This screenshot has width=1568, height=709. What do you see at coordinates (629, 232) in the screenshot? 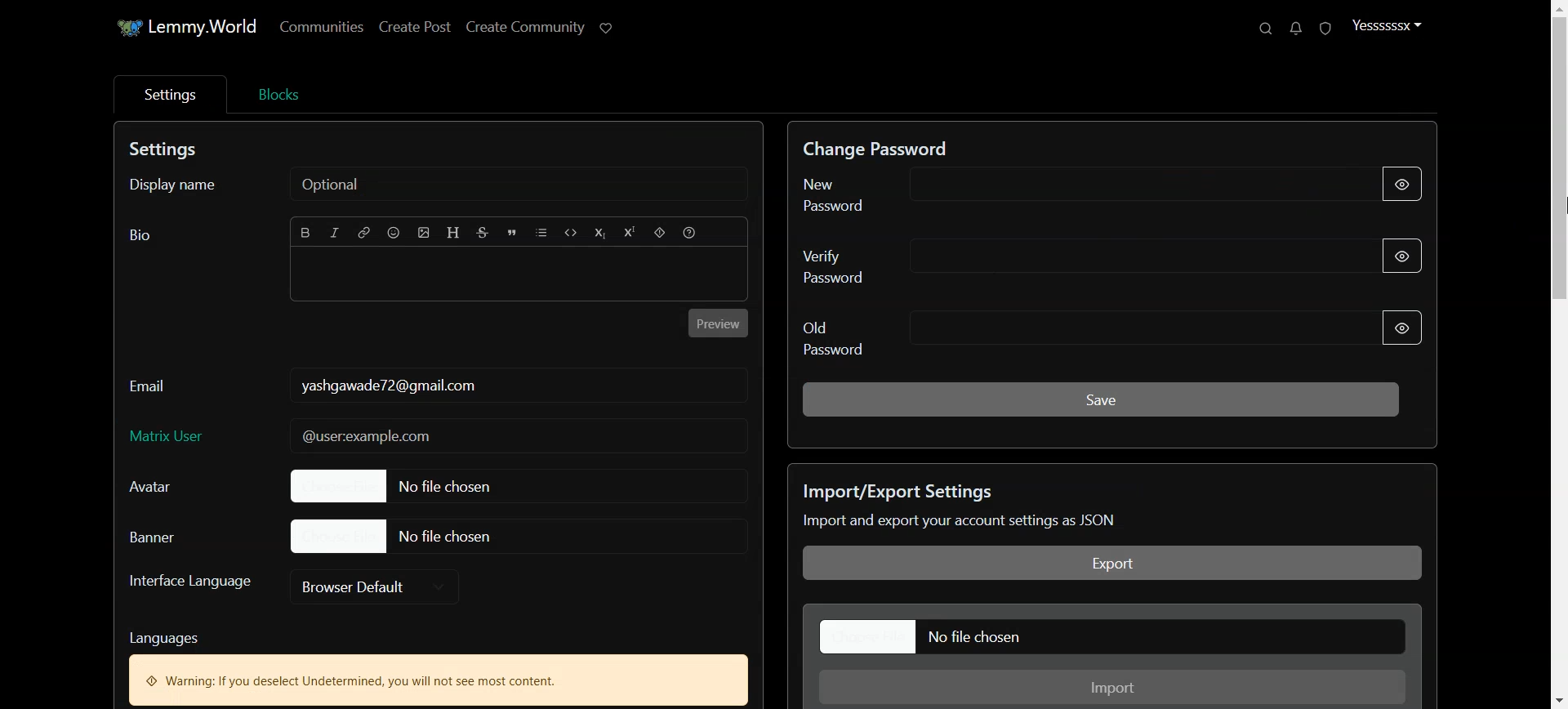
I see `Superscript` at bounding box center [629, 232].